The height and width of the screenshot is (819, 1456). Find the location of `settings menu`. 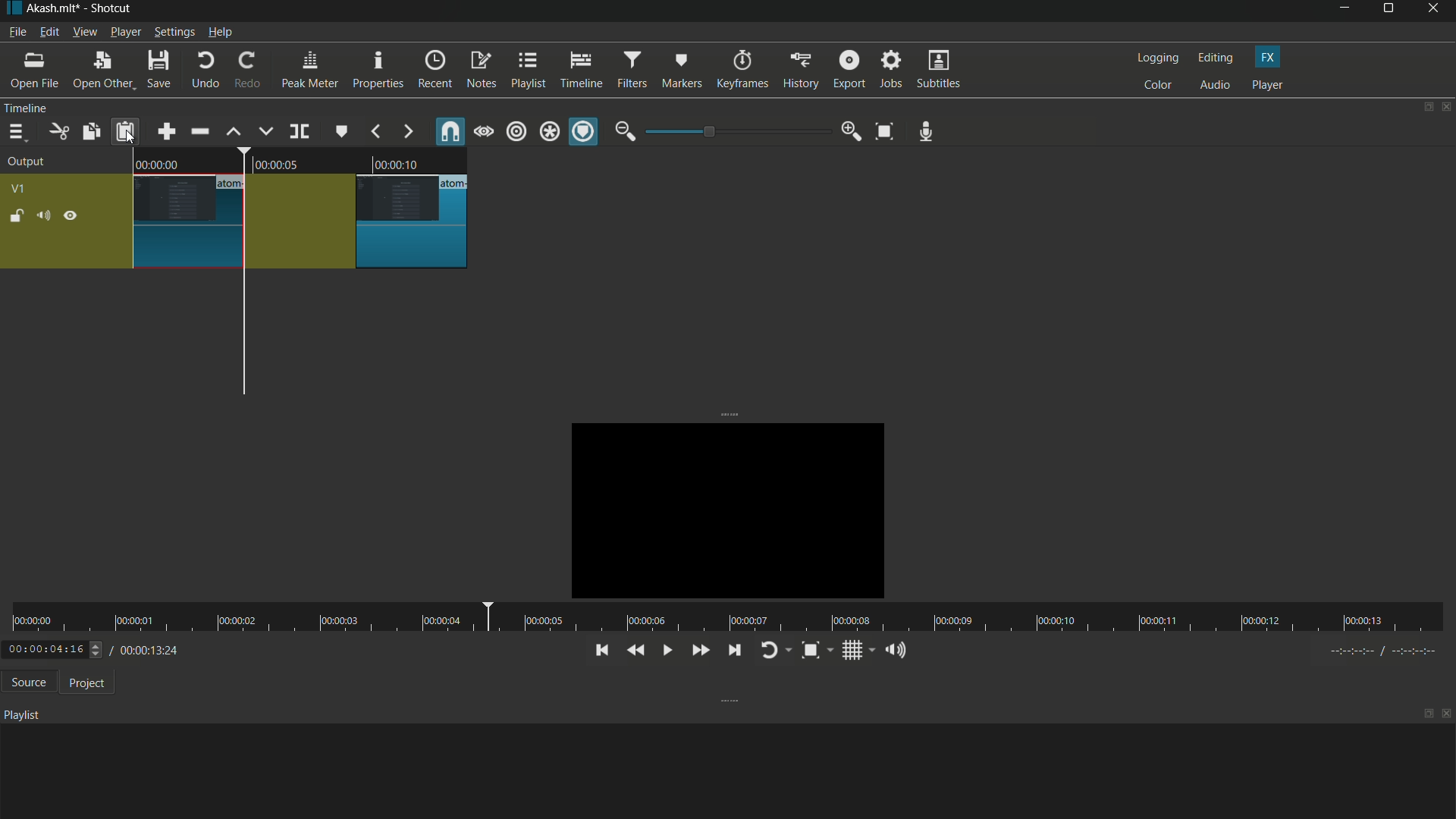

settings menu is located at coordinates (174, 32).